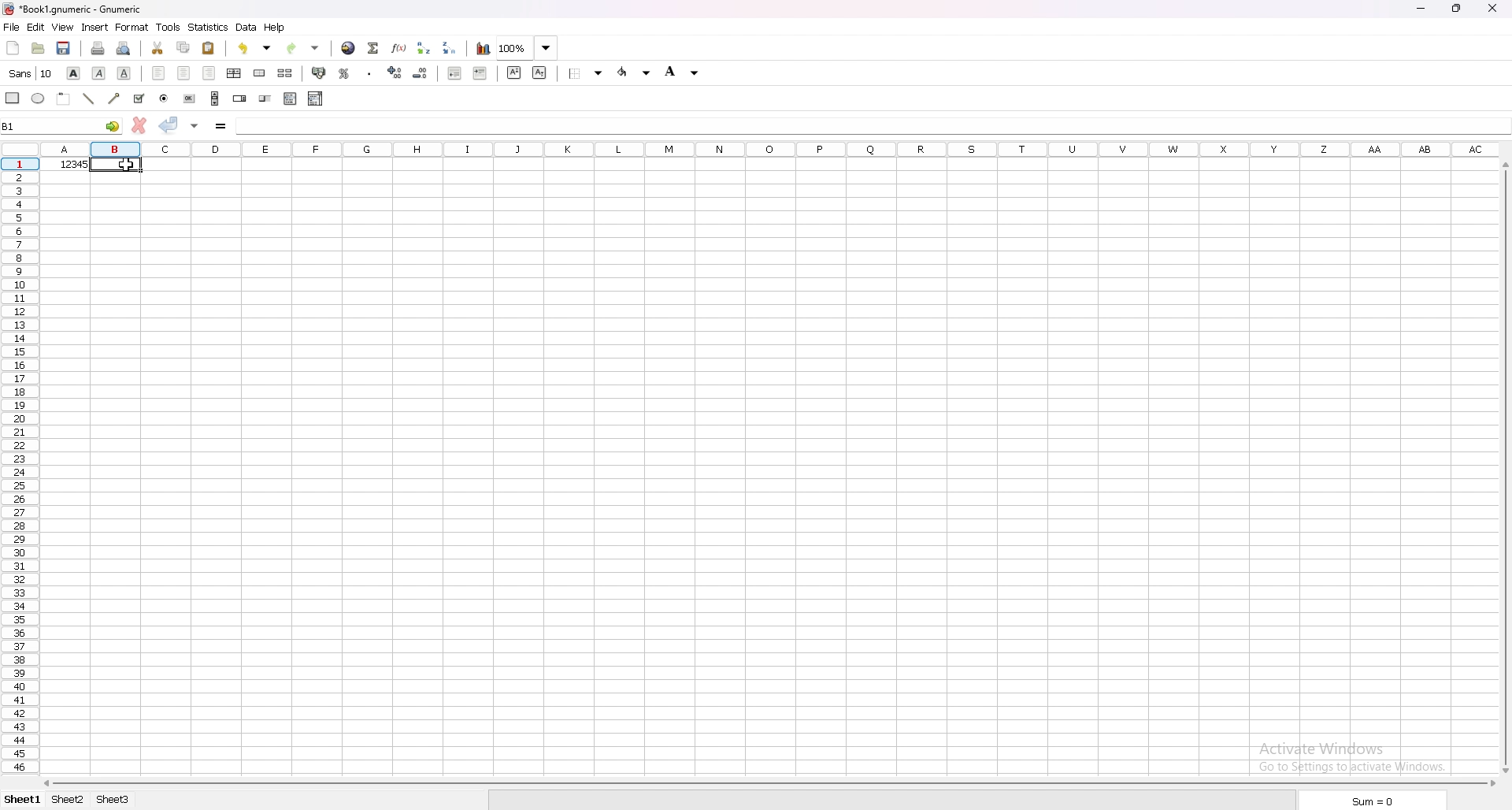 Image resolution: width=1512 pixels, height=810 pixels. What do you see at coordinates (684, 71) in the screenshot?
I see `background` at bounding box center [684, 71].